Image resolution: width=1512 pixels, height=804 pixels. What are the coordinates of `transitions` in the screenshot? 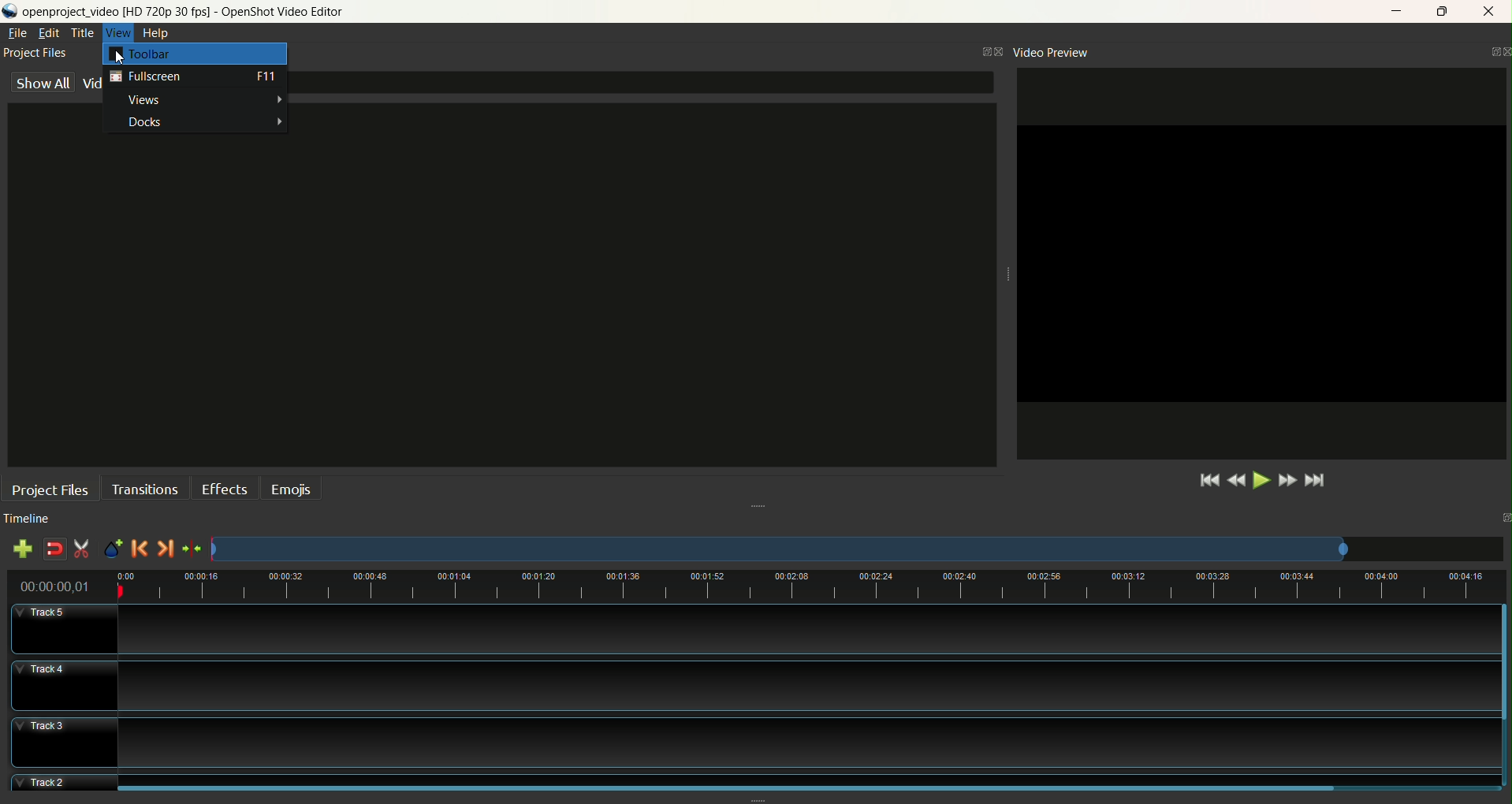 It's located at (145, 489).